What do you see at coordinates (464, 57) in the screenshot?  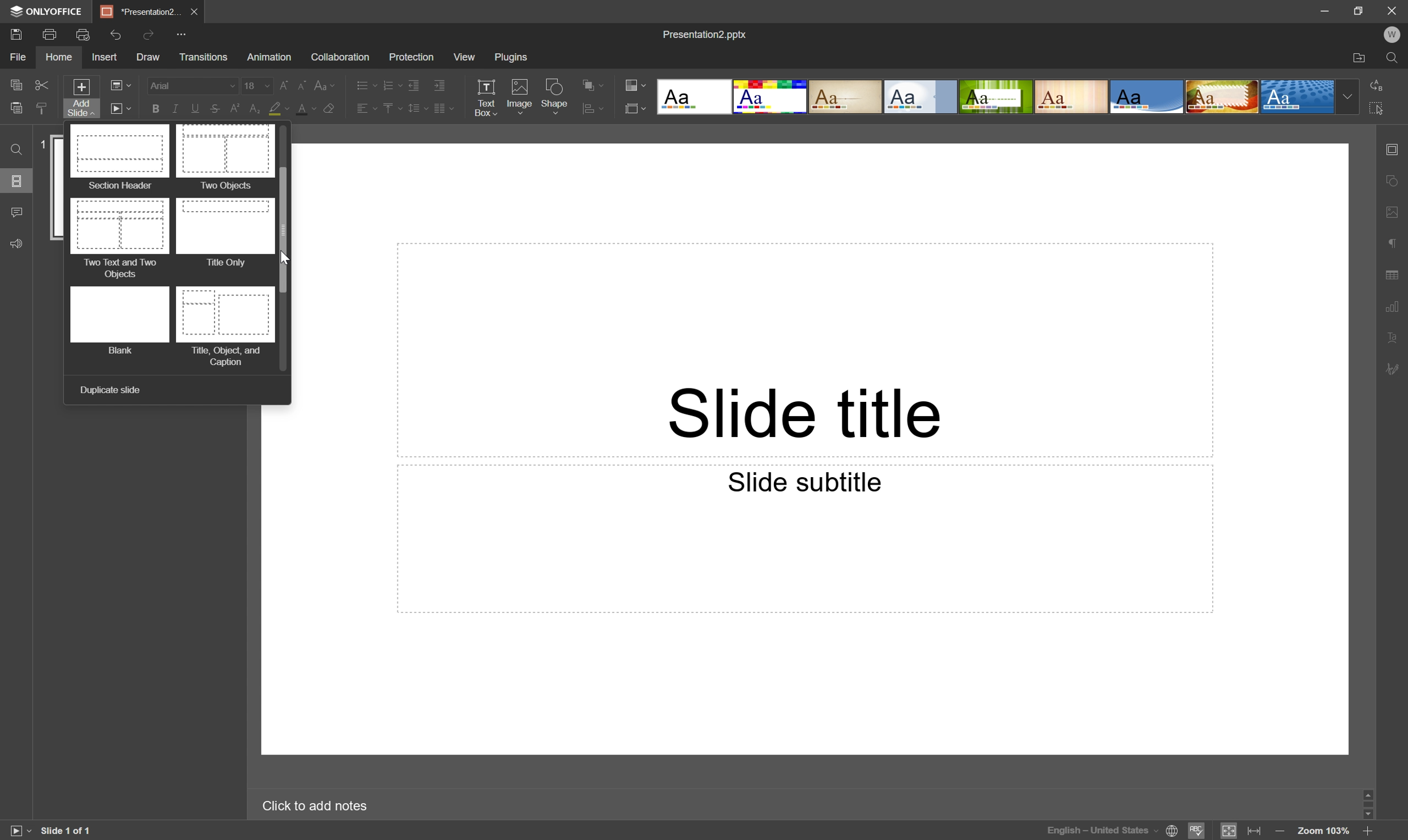 I see `View` at bounding box center [464, 57].